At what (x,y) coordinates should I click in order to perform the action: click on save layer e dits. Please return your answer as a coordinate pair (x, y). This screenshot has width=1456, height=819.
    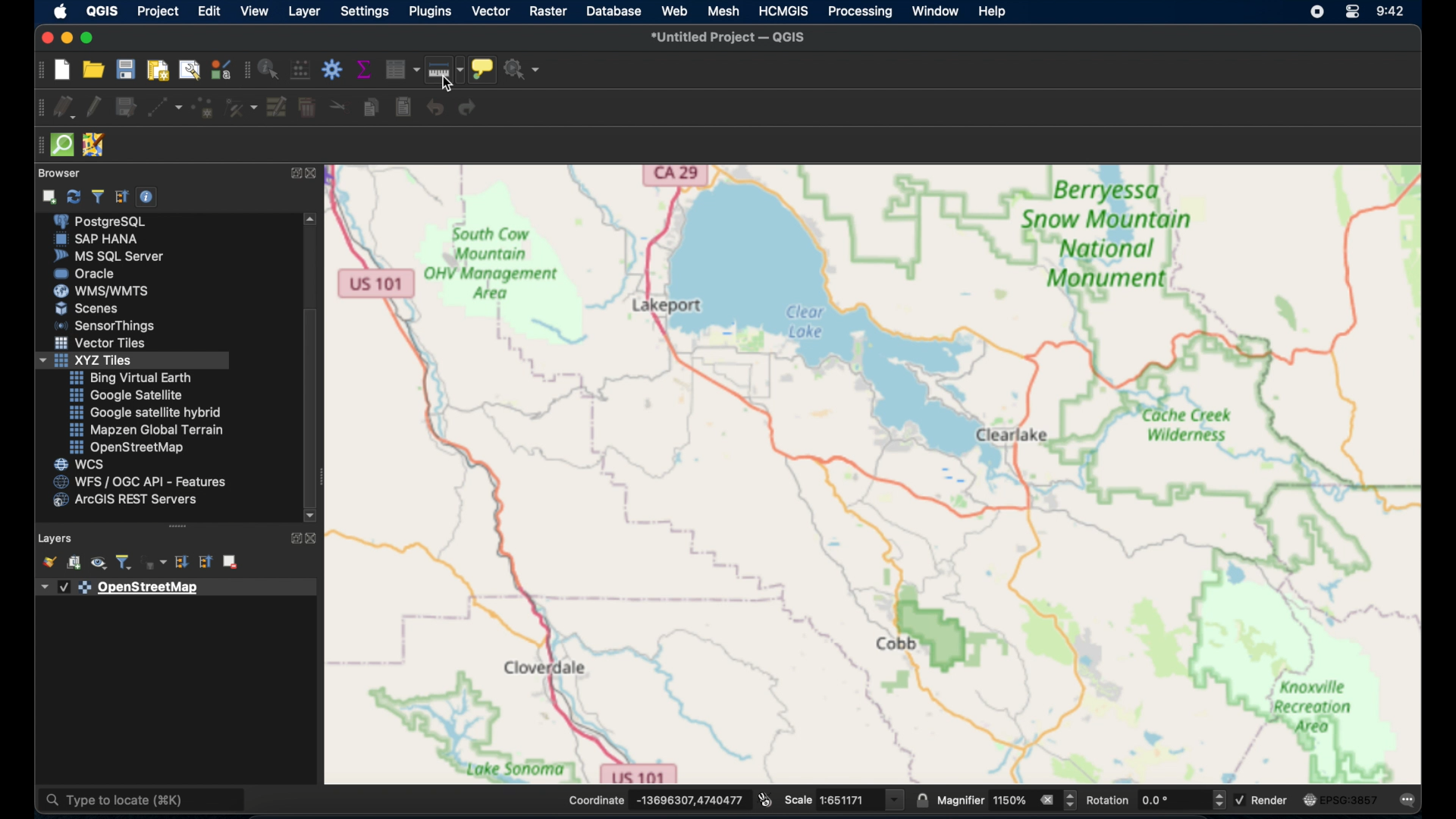
    Looking at the image, I should click on (124, 109).